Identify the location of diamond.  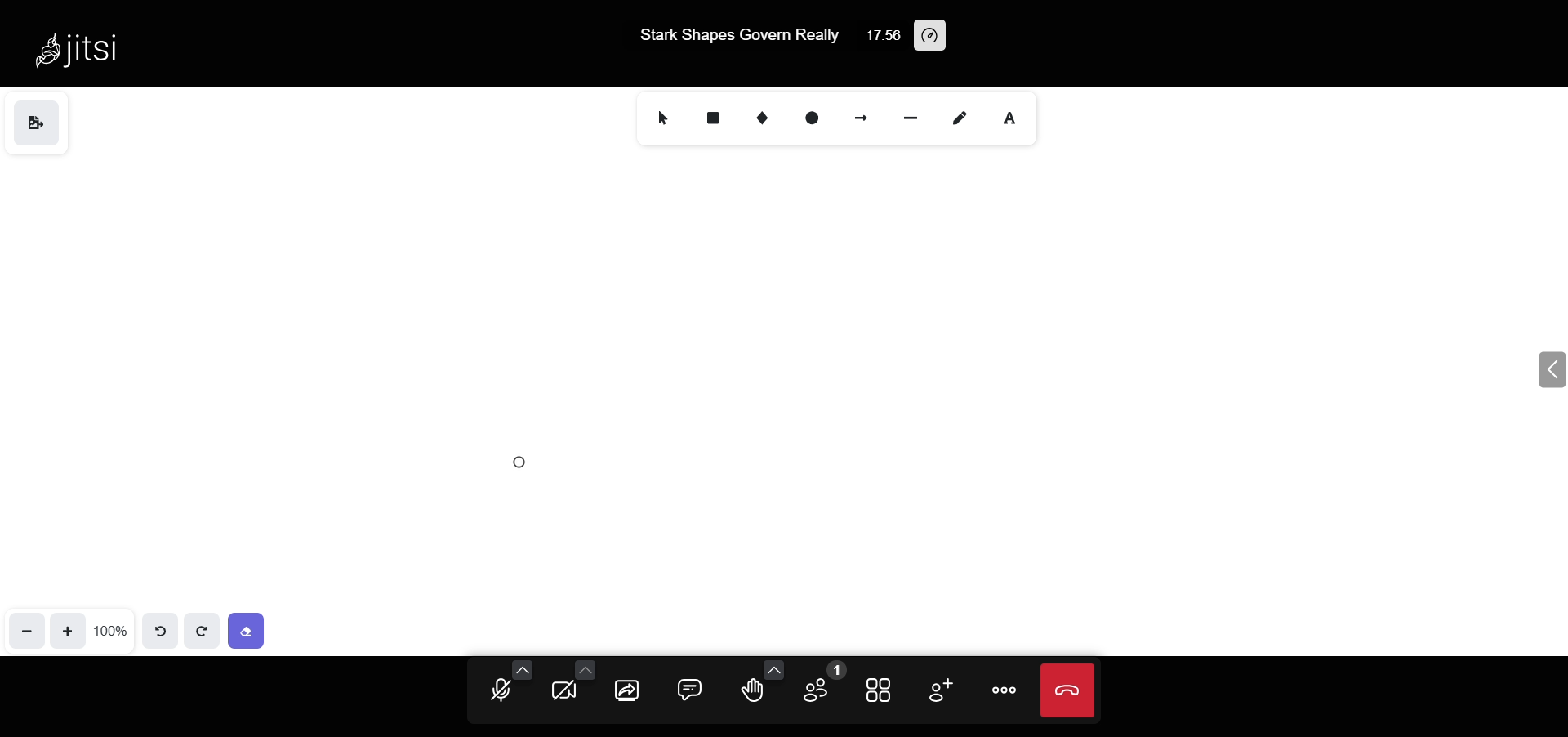
(764, 119).